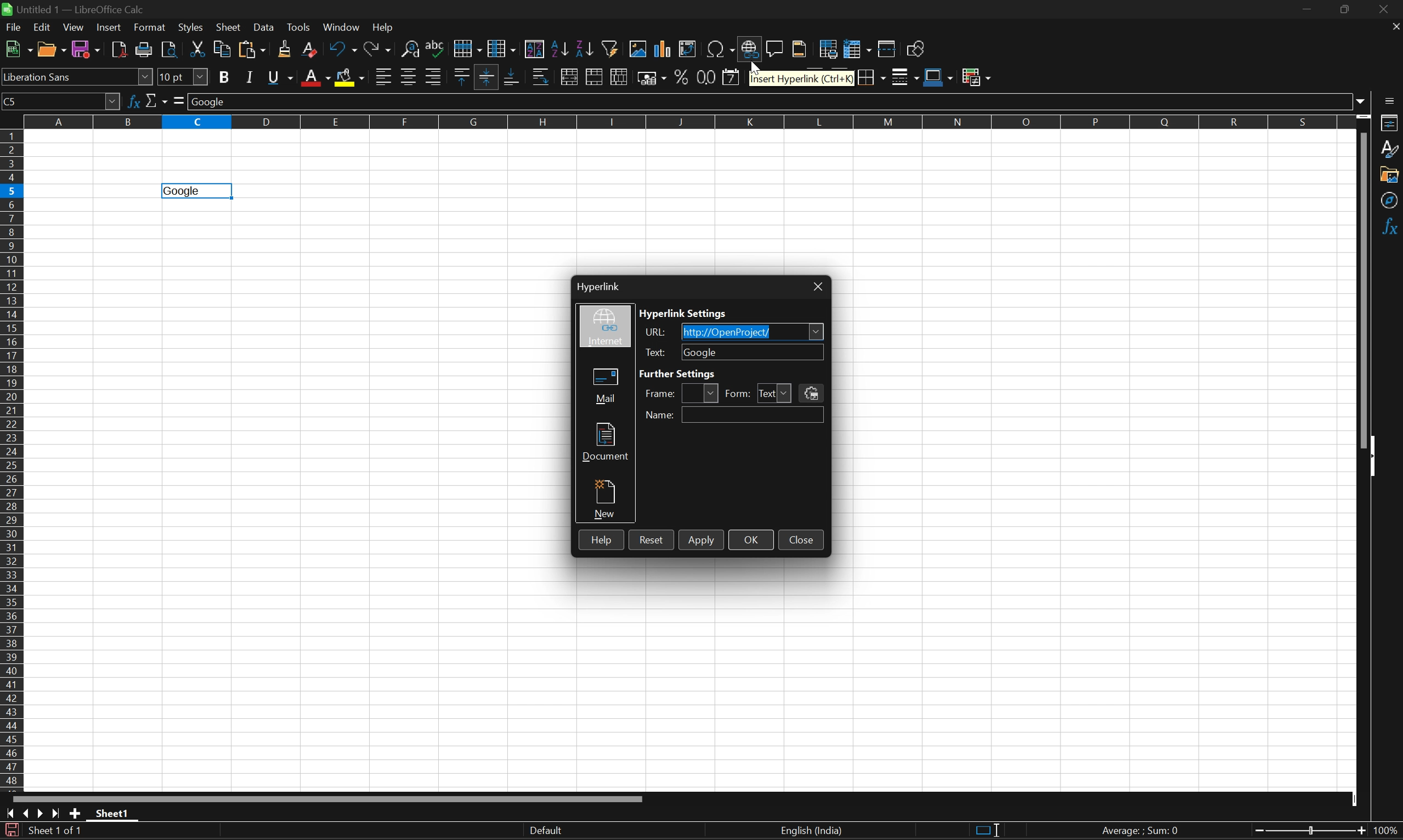 The height and width of the screenshot is (840, 1403). What do you see at coordinates (463, 74) in the screenshot?
I see `Align top` at bounding box center [463, 74].